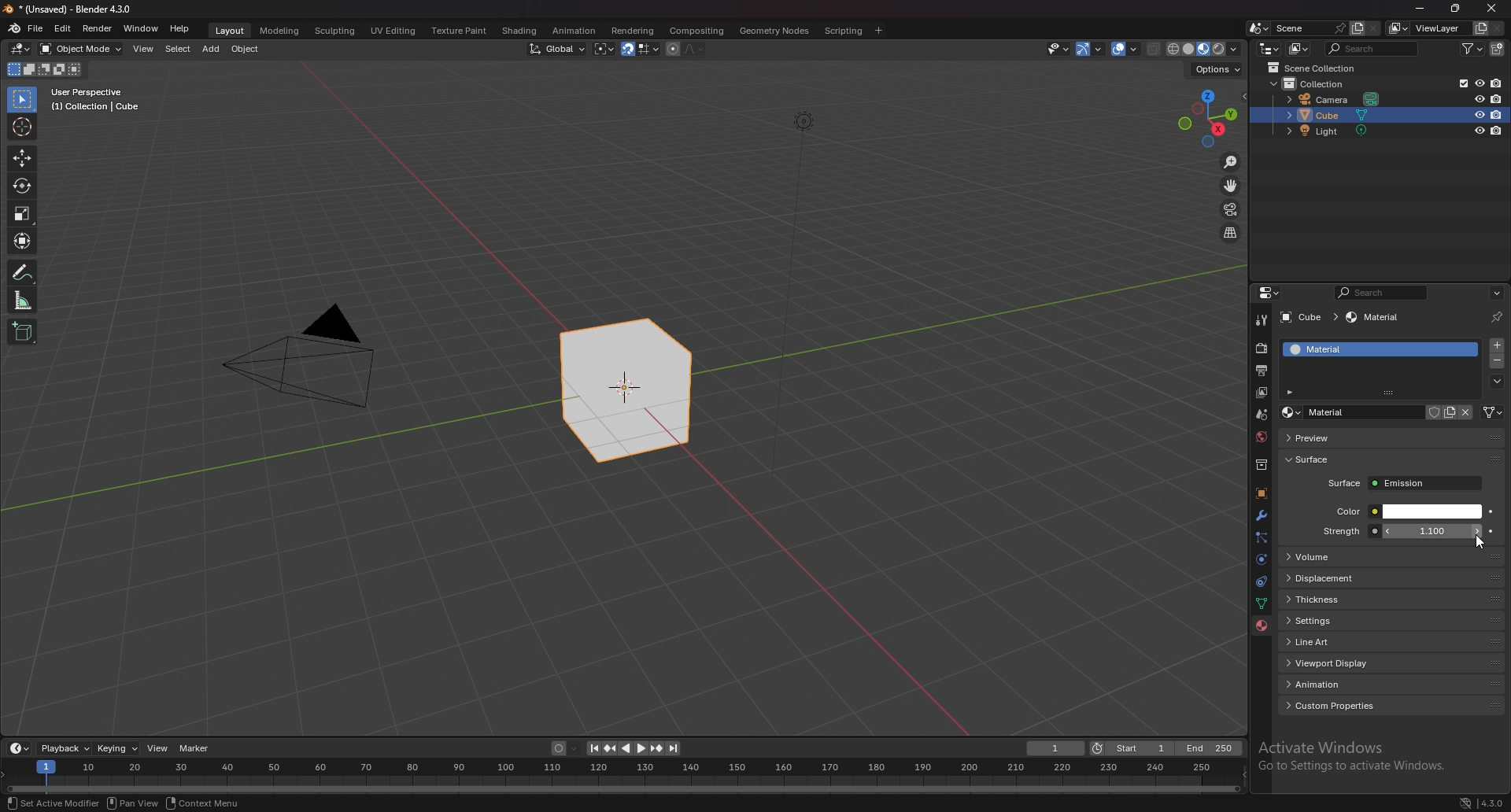 Image resolution: width=1511 pixels, height=812 pixels. Describe the element at coordinates (1375, 48) in the screenshot. I see `search` at that location.